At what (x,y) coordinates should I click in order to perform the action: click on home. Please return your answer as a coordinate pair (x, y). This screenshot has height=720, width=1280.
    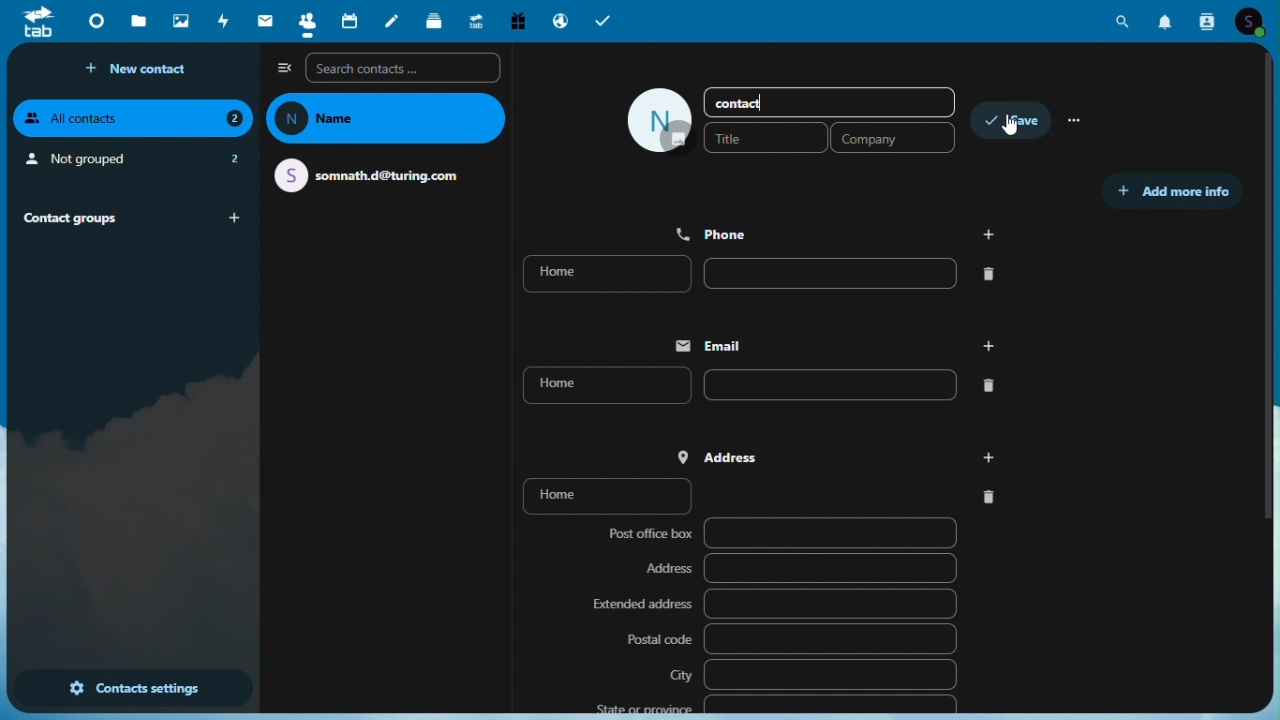
    Looking at the image, I should click on (755, 384).